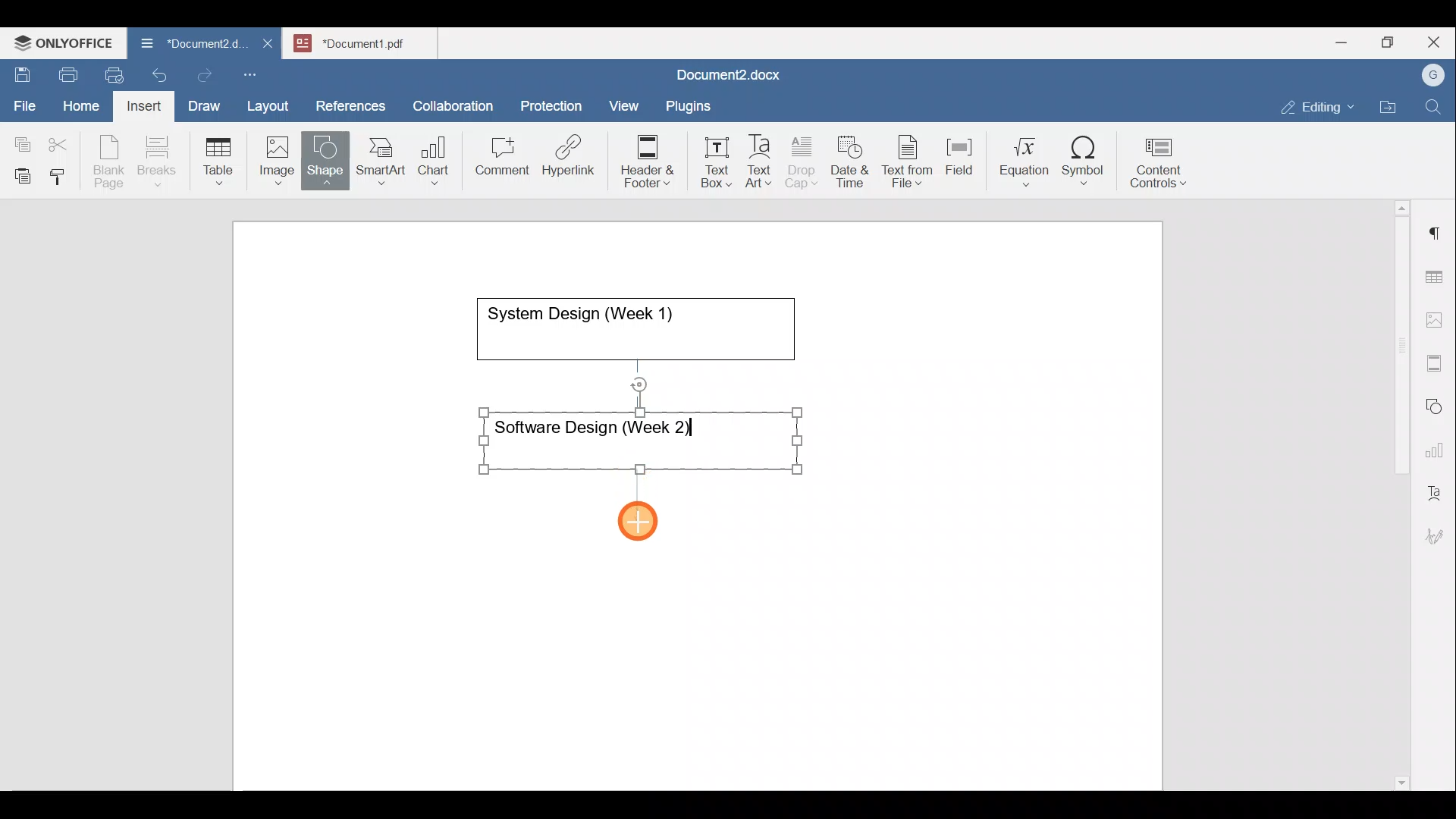  Describe the element at coordinates (1028, 161) in the screenshot. I see `Equation` at that location.